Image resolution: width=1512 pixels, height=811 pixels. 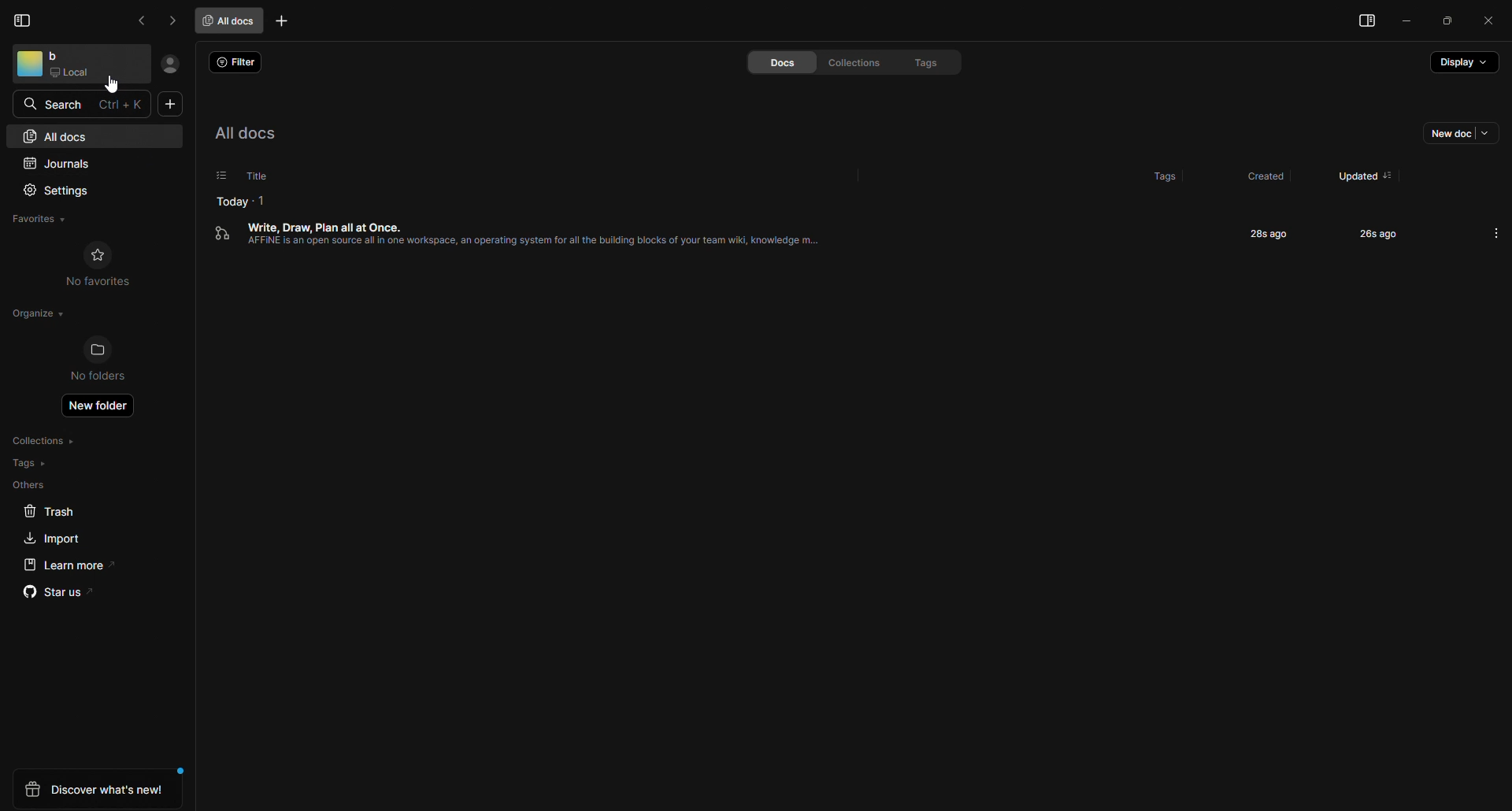 I want to click on tags, so click(x=30, y=463).